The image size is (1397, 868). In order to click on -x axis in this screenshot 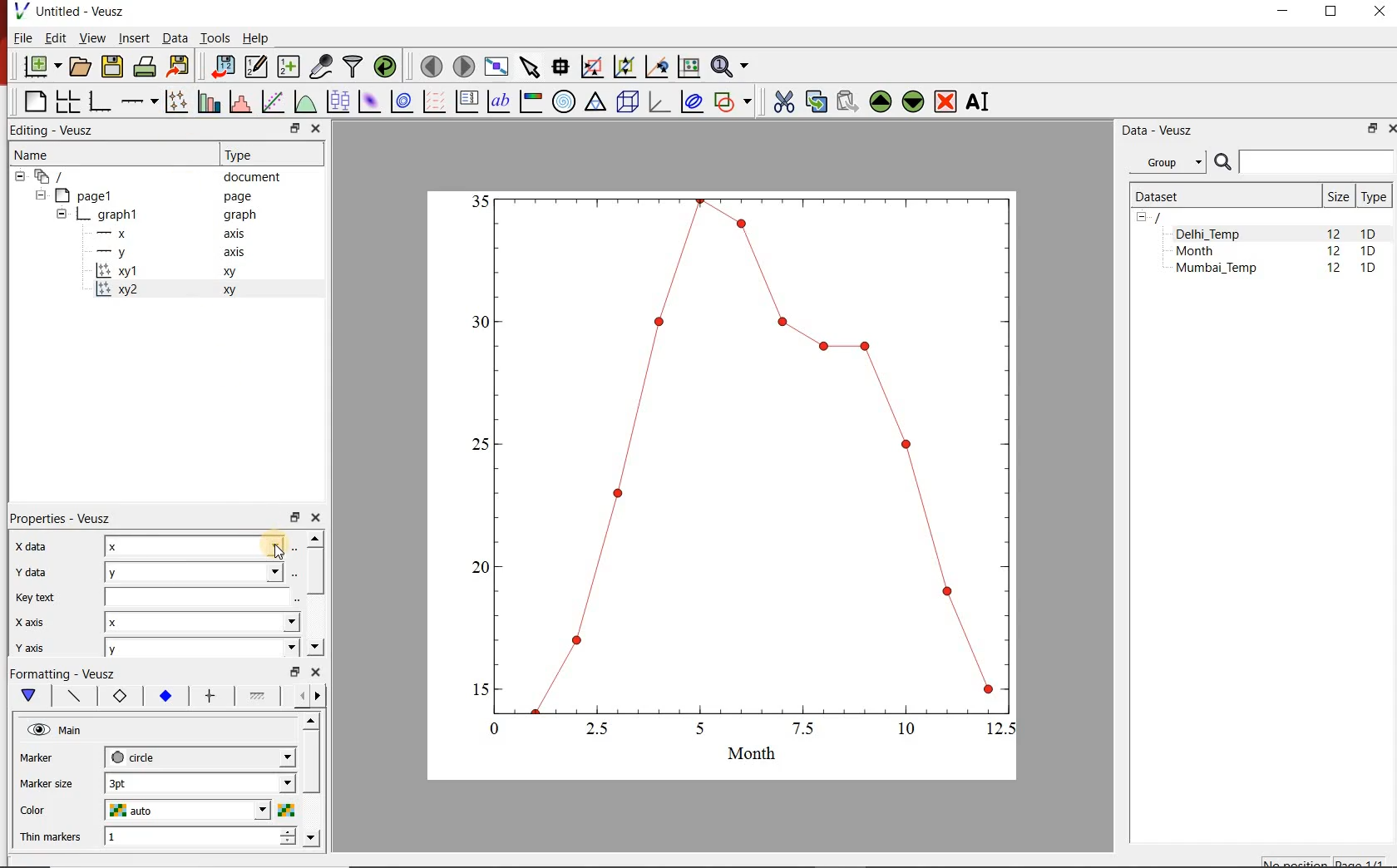, I will do `click(164, 234)`.